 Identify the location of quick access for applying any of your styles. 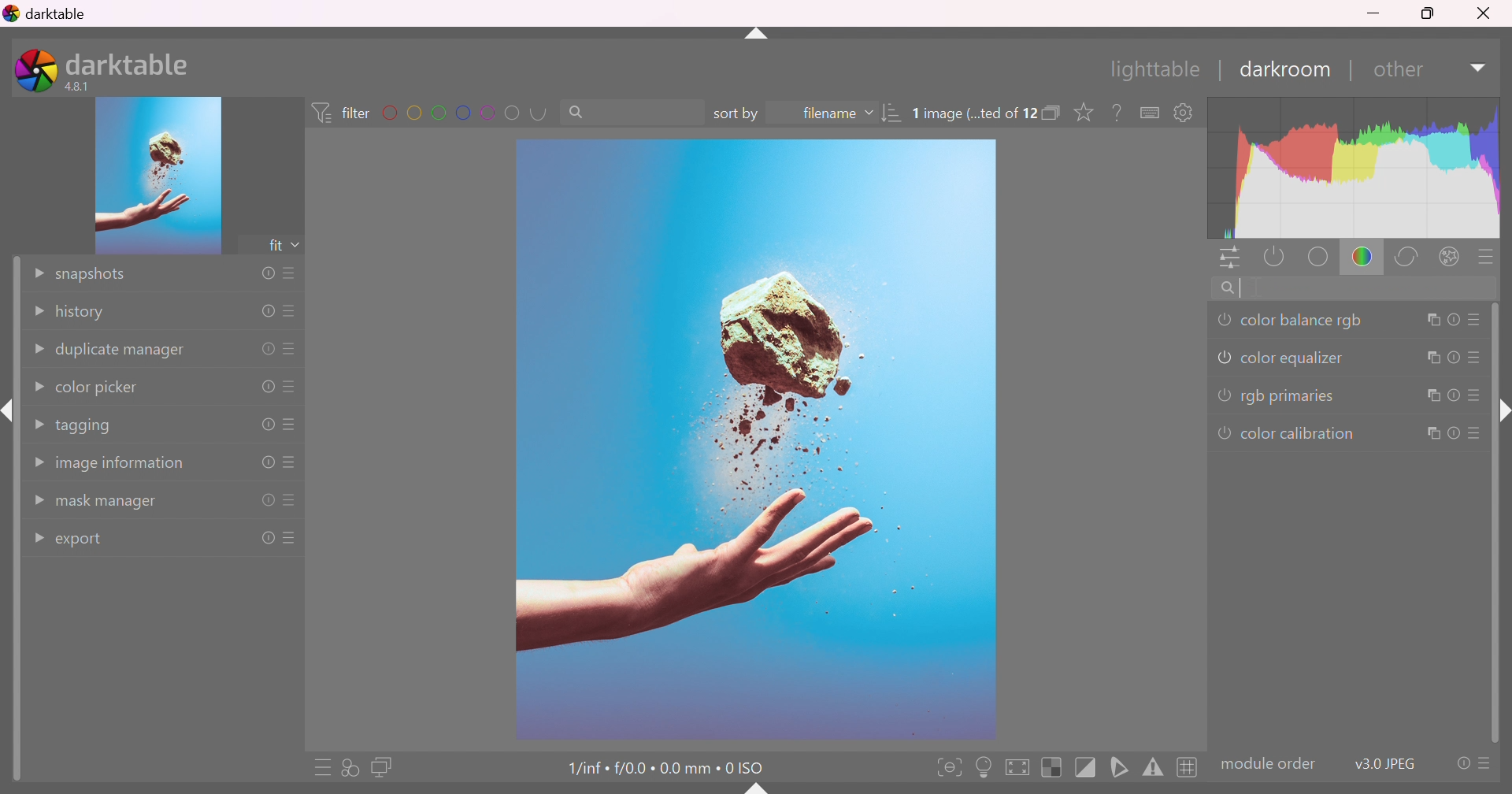
(354, 766).